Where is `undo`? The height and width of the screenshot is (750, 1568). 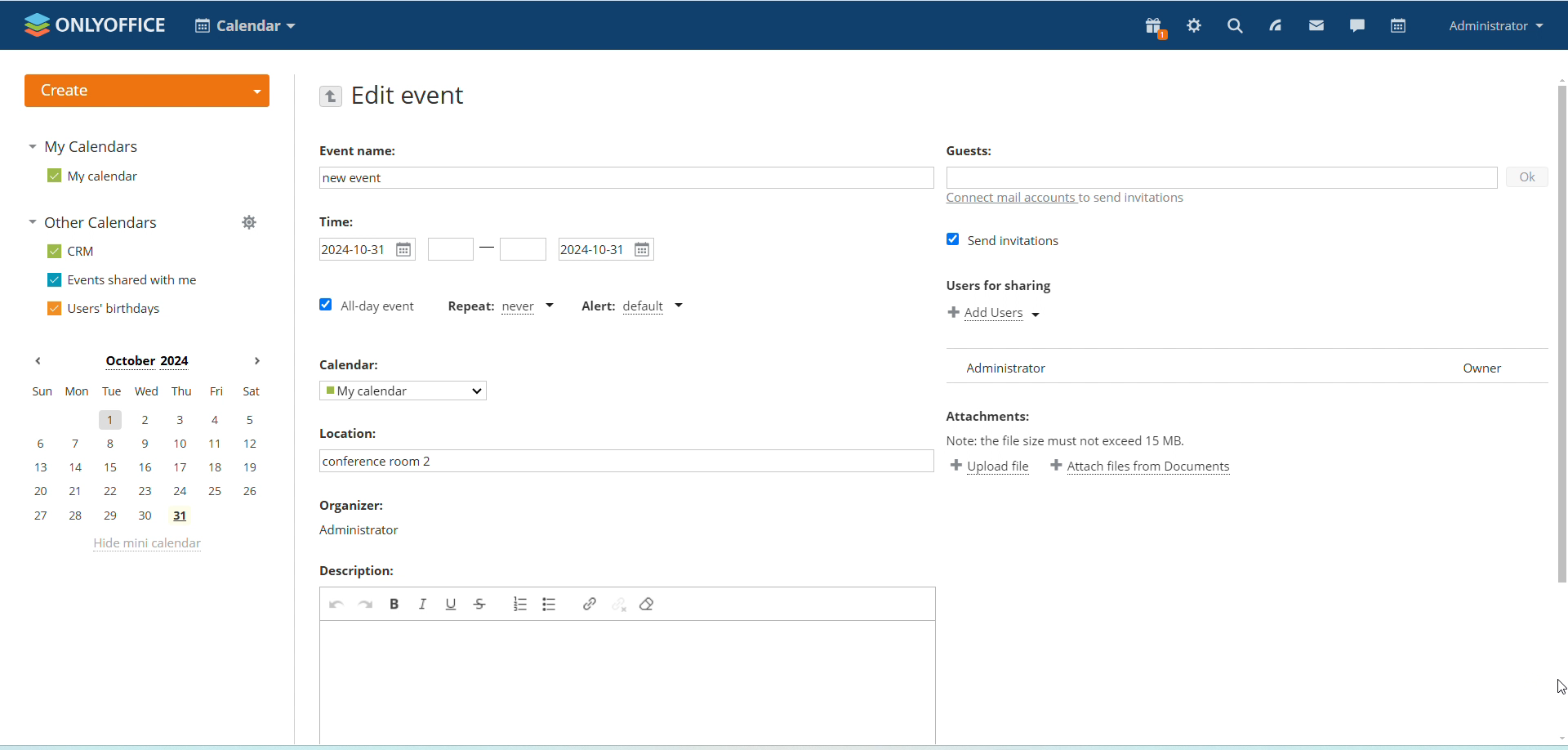 undo is located at coordinates (335, 603).